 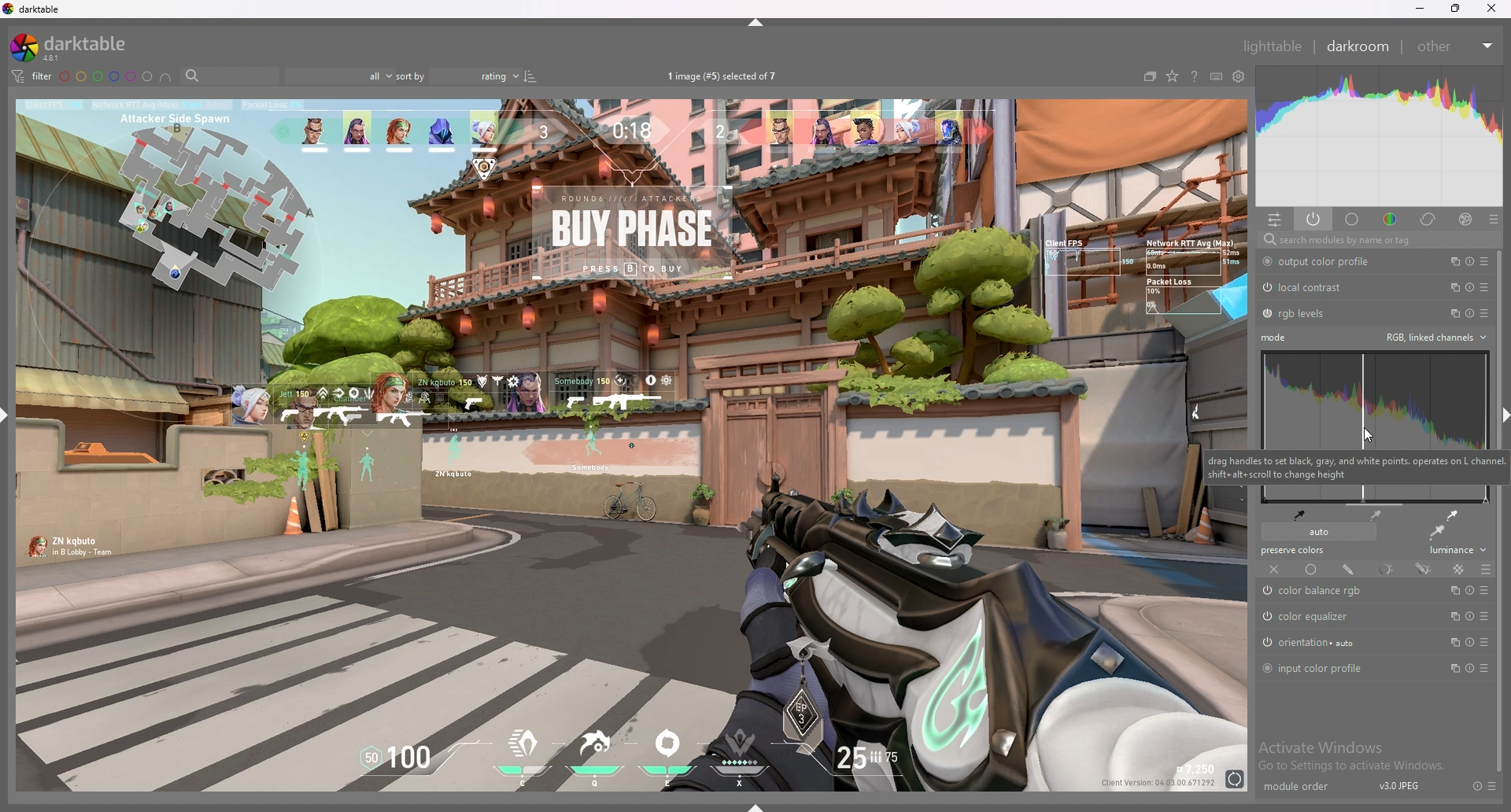 I want to click on search modules, so click(x=1375, y=241).